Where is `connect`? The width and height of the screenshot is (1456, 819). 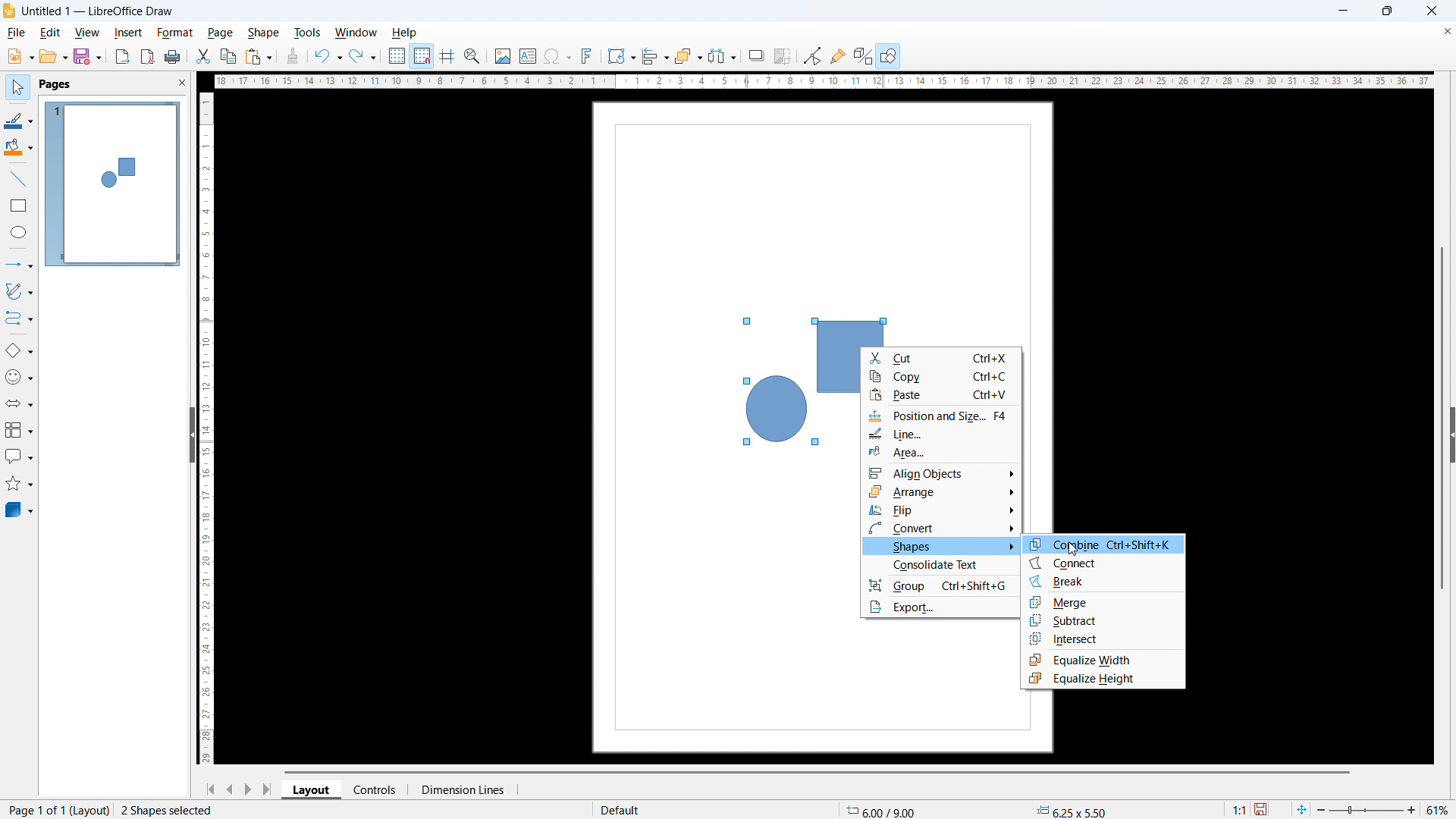
connect is located at coordinates (1106, 562).